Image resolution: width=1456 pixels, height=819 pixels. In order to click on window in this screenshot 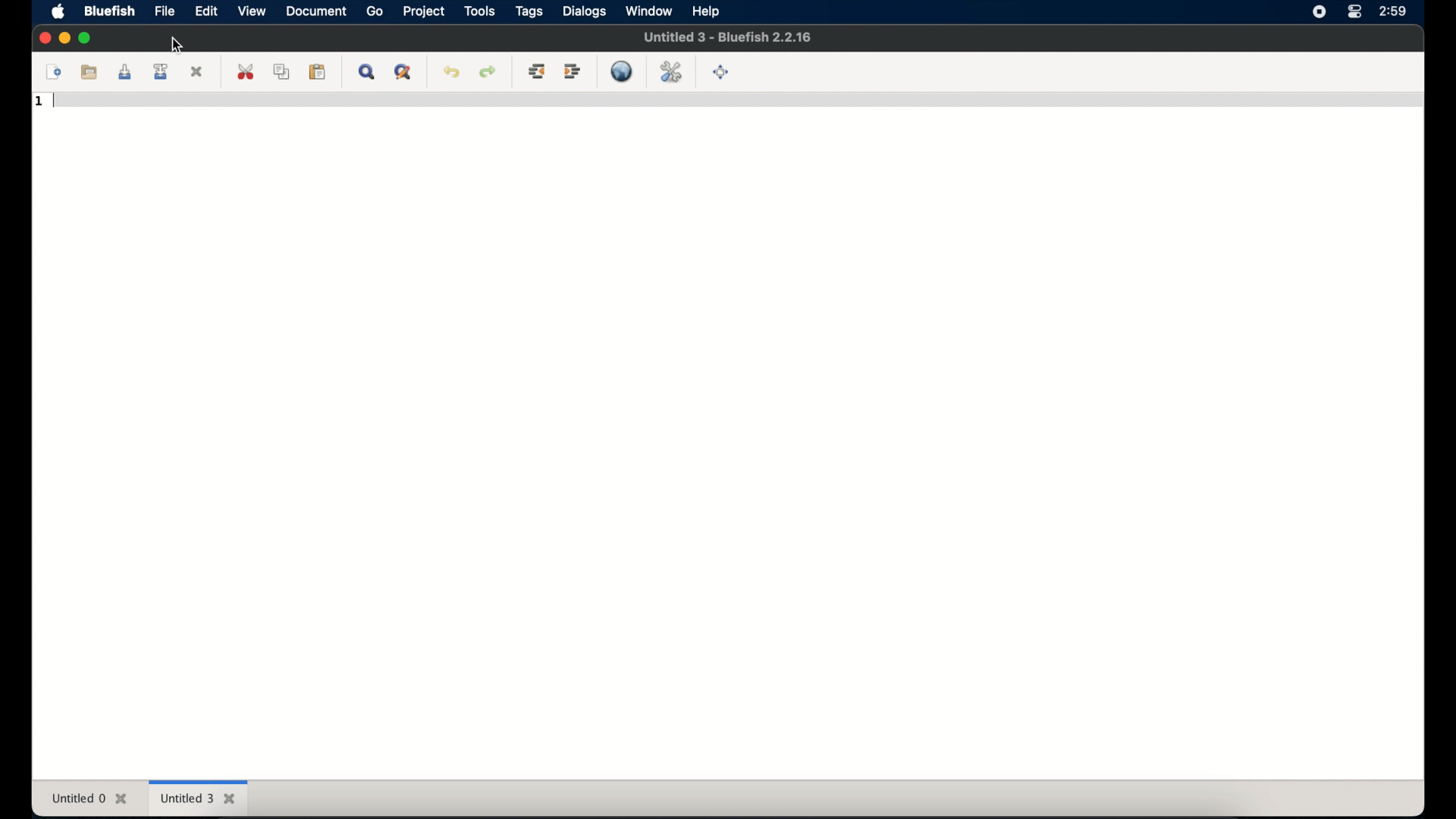, I will do `click(648, 11)`.